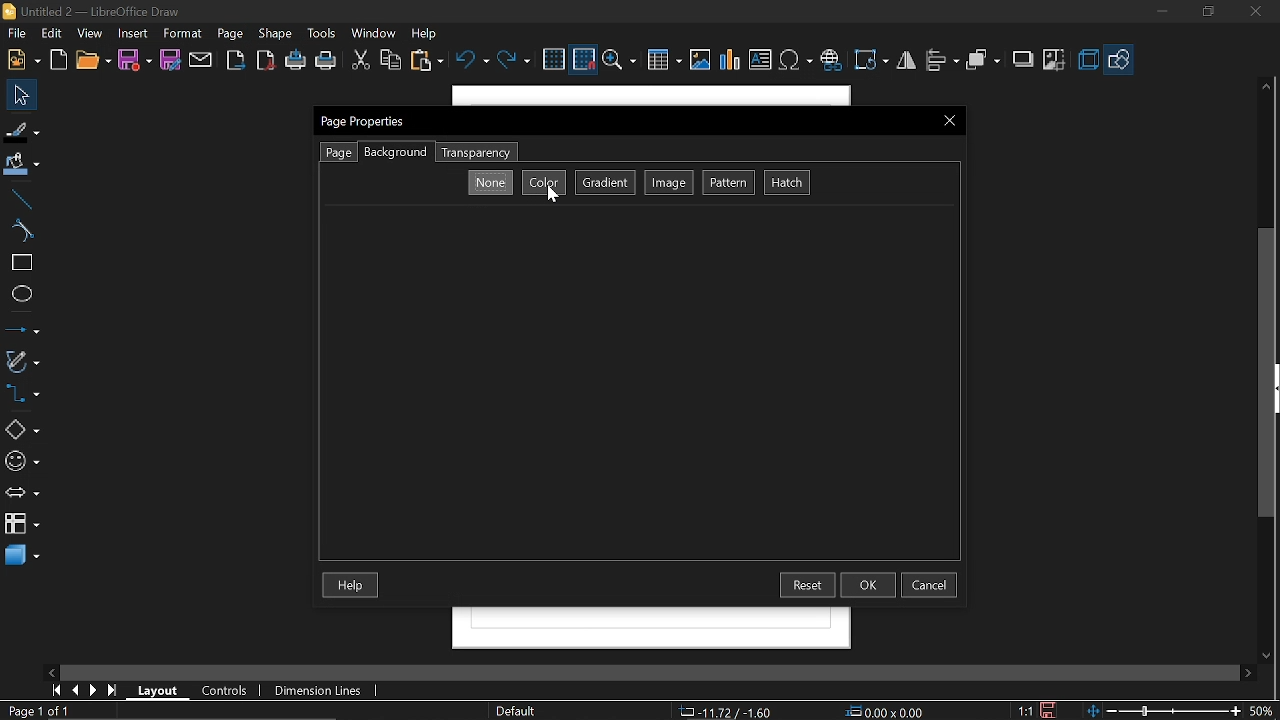 Image resolution: width=1280 pixels, height=720 pixels. I want to click on Scaling factor, so click(1024, 710).